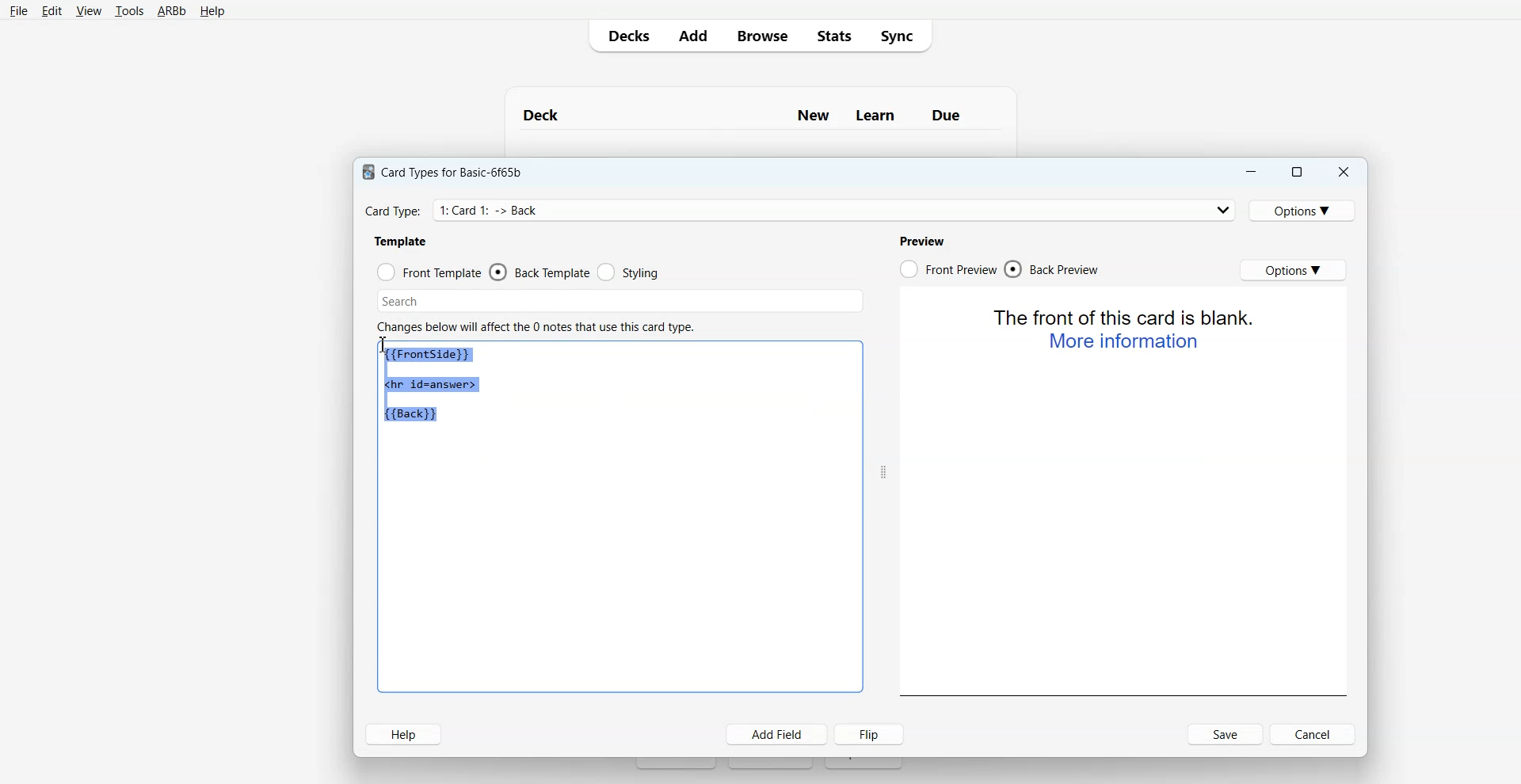  What do you see at coordinates (172, 11) in the screenshot?
I see `ARBb` at bounding box center [172, 11].